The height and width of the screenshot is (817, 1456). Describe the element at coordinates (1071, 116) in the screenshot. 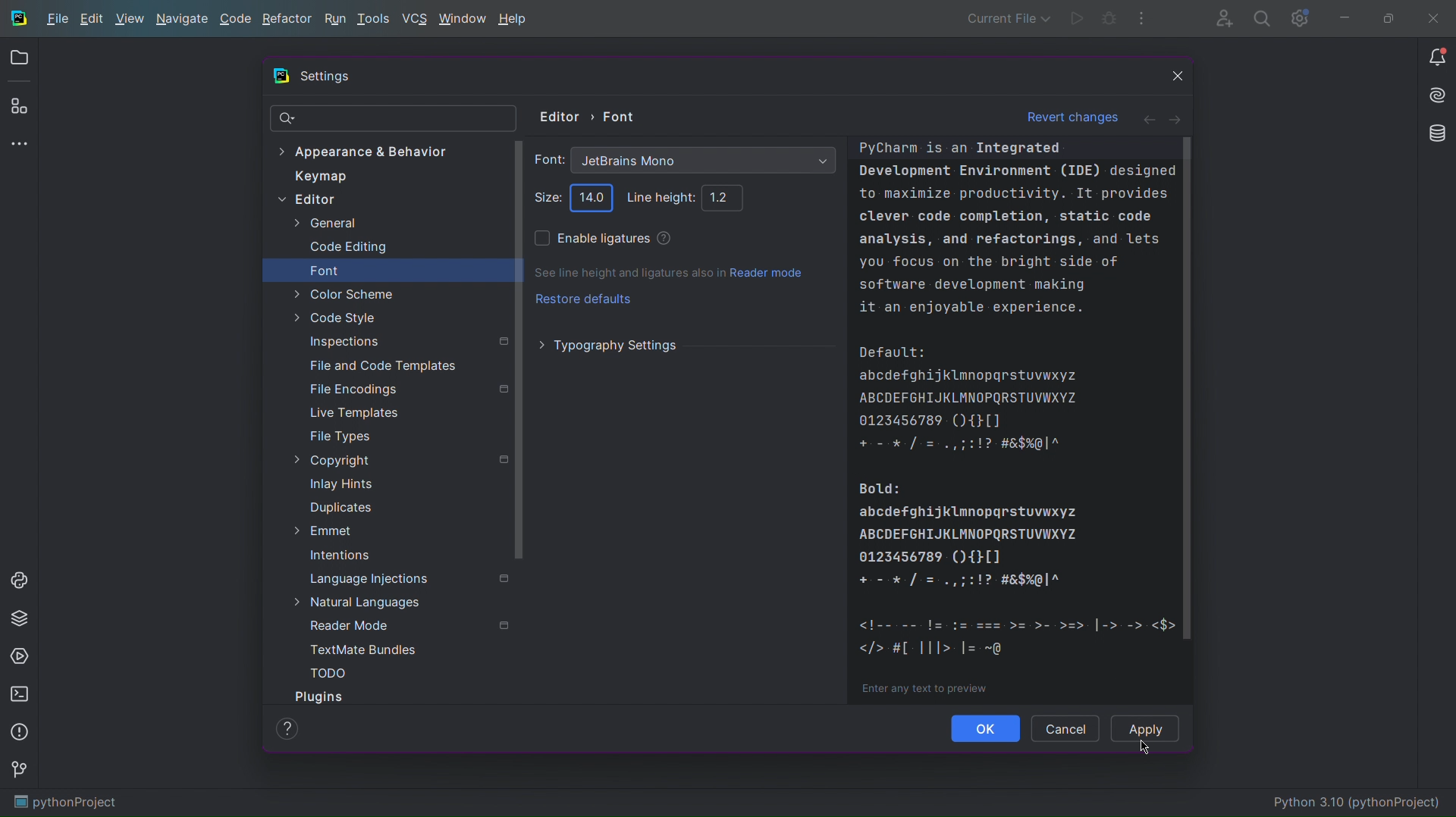

I see `Revert changes` at that location.